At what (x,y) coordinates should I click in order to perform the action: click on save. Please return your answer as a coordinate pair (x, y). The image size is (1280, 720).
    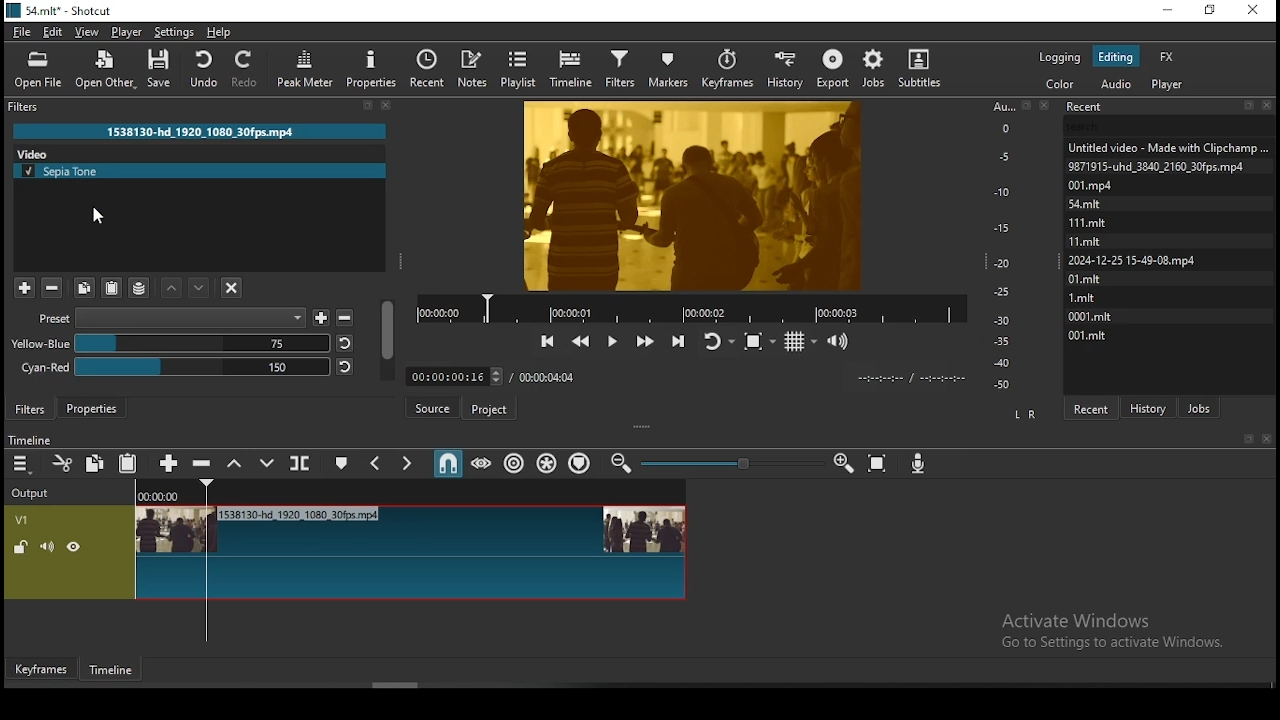
    Looking at the image, I should click on (162, 68).